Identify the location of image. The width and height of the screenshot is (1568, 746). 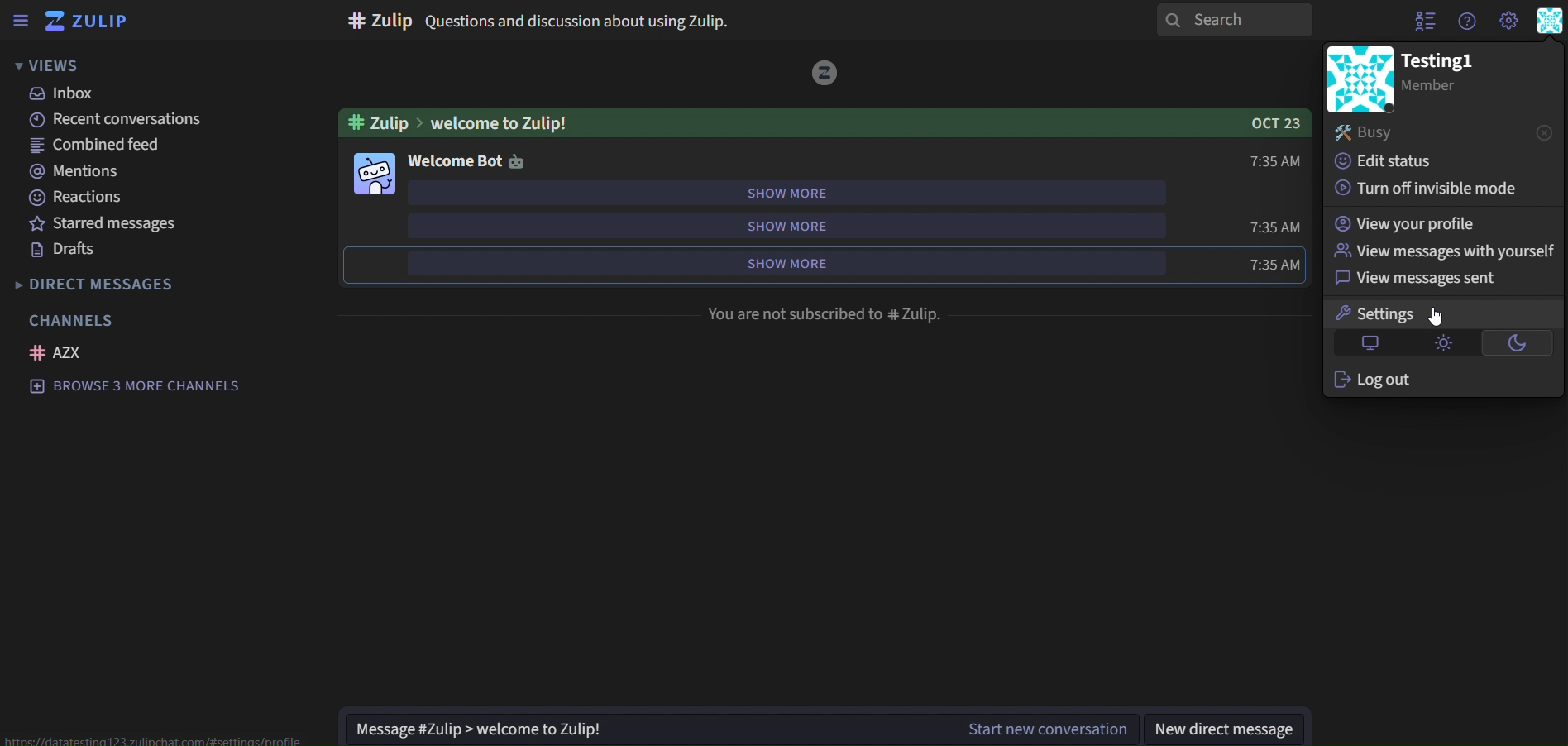
(376, 174).